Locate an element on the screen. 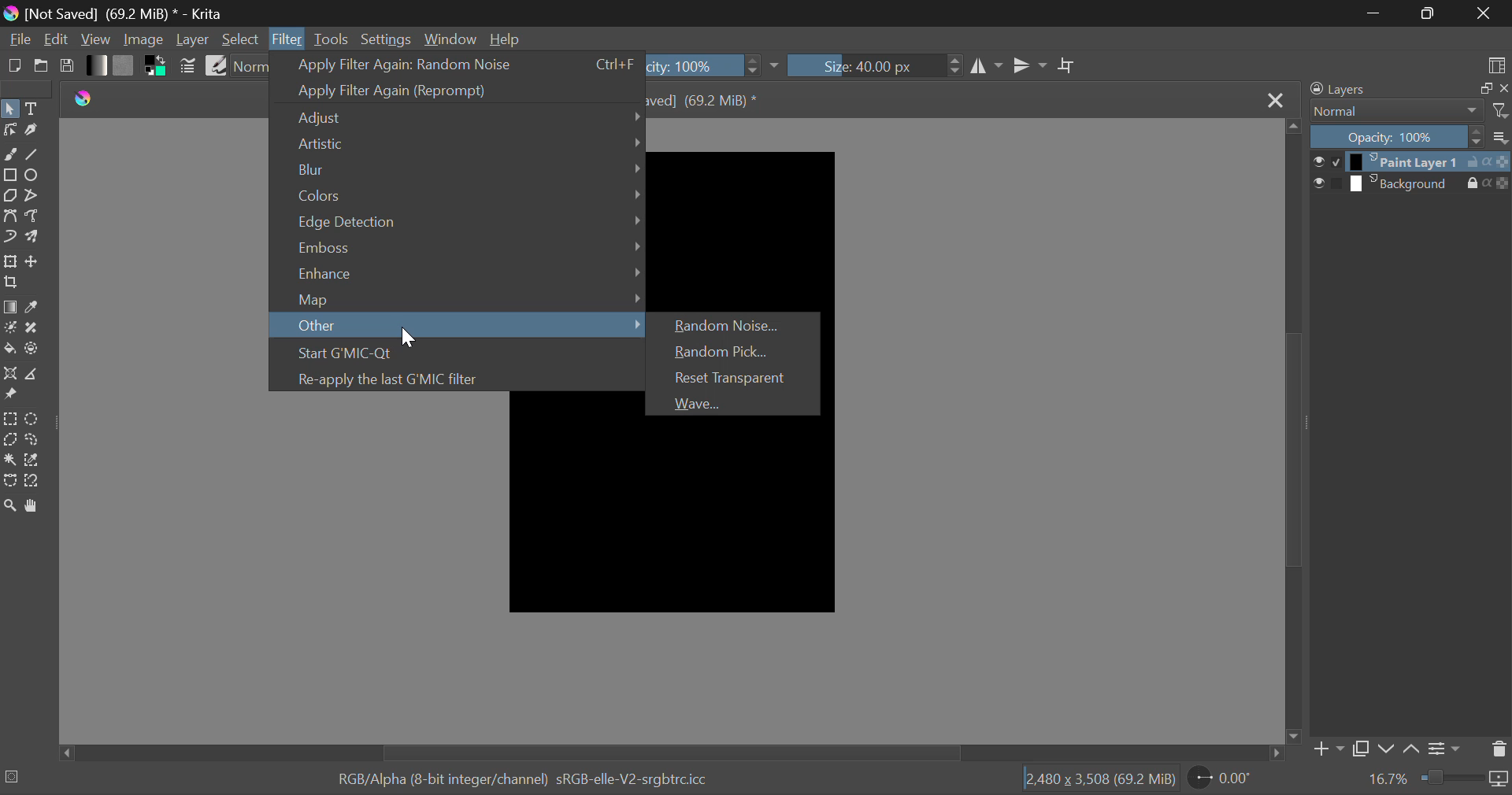 The height and width of the screenshot is (795, 1512). Eyedropper is located at coordinates (33, 307).